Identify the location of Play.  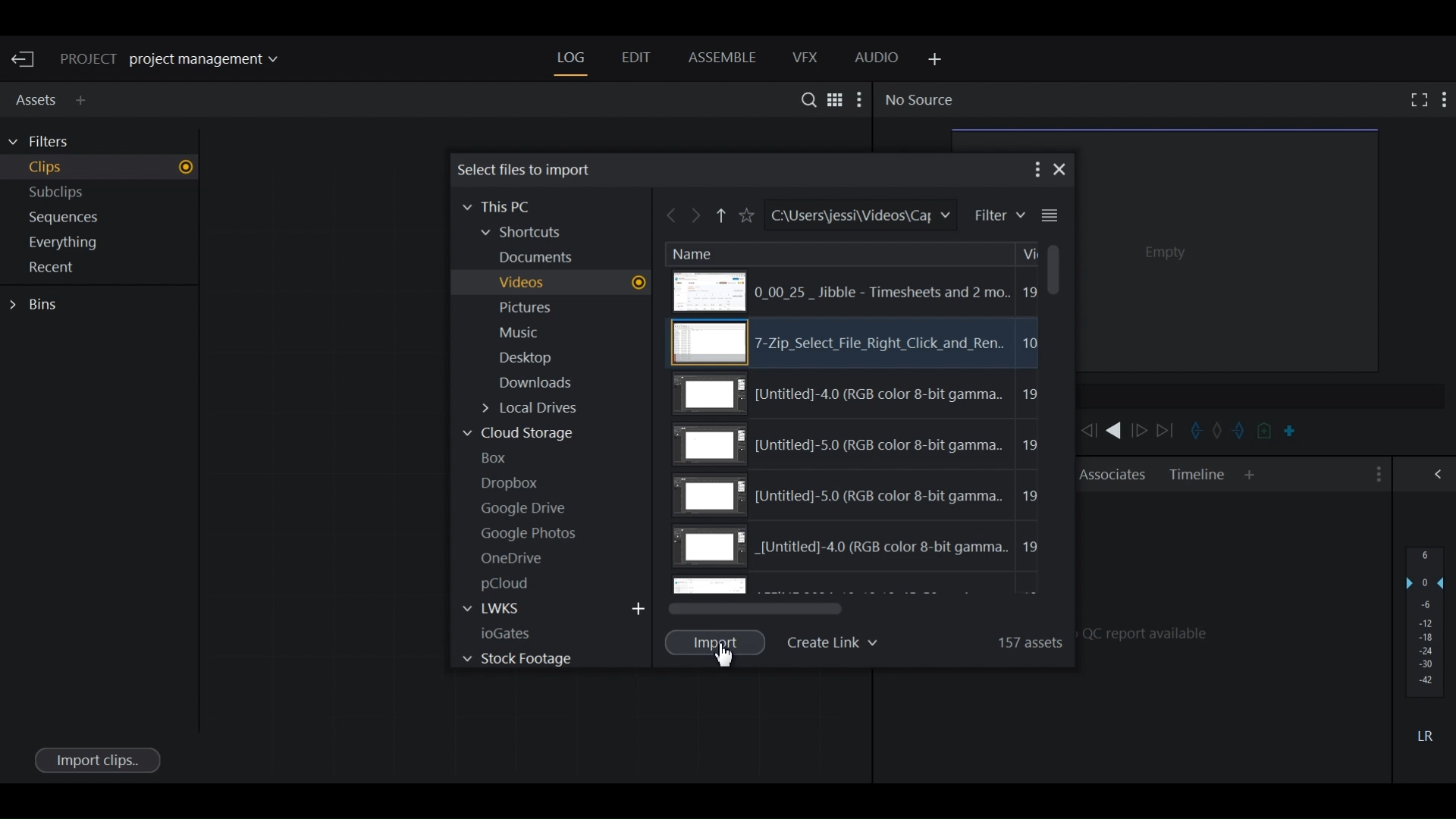
(1113, 430).